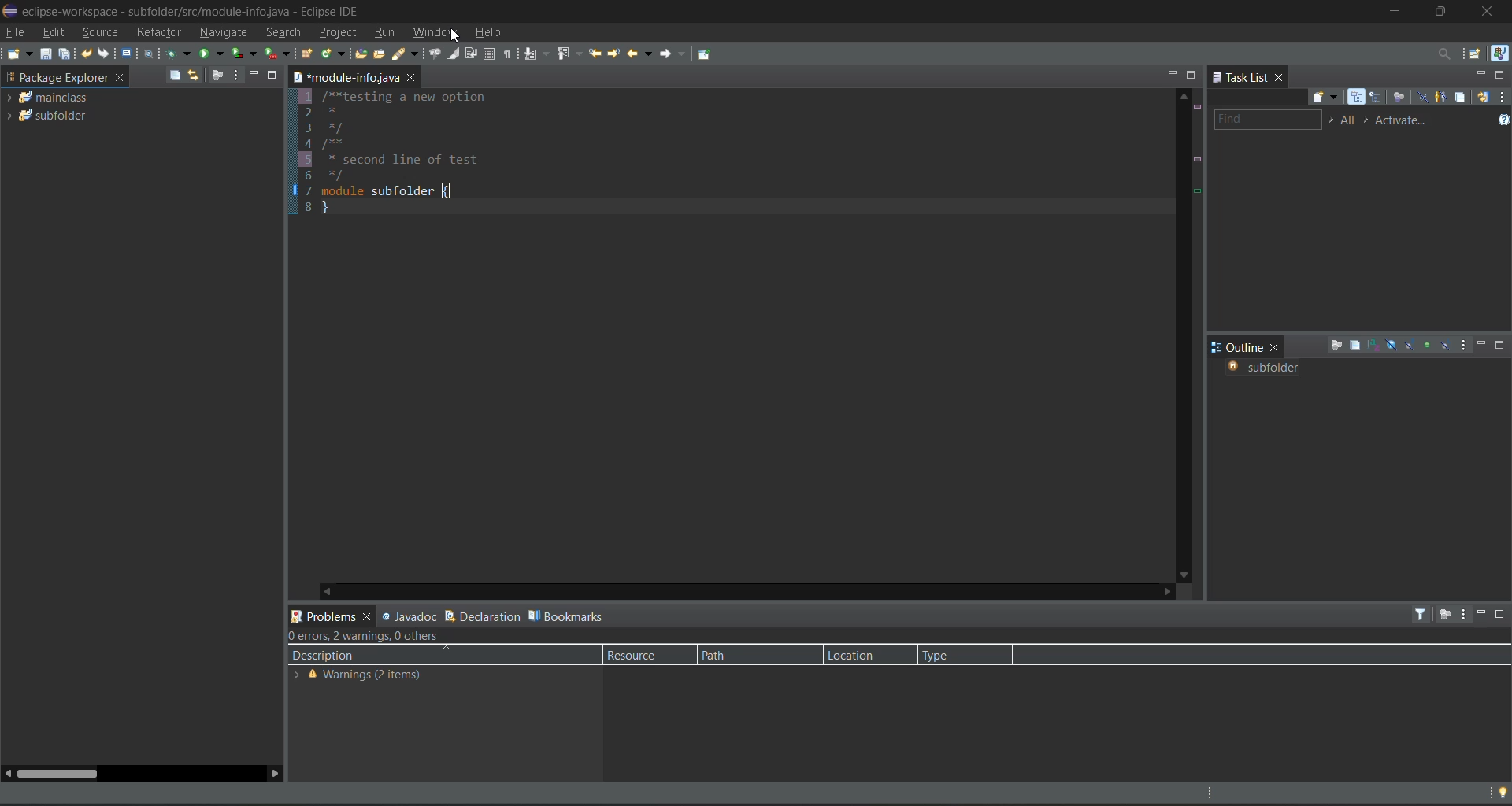 This screenshot has width=1512, height=806. What do you see at coordinates (1445, 614) in the screenshot?
I see `focus on active task` at bounding box center [1445, 614].